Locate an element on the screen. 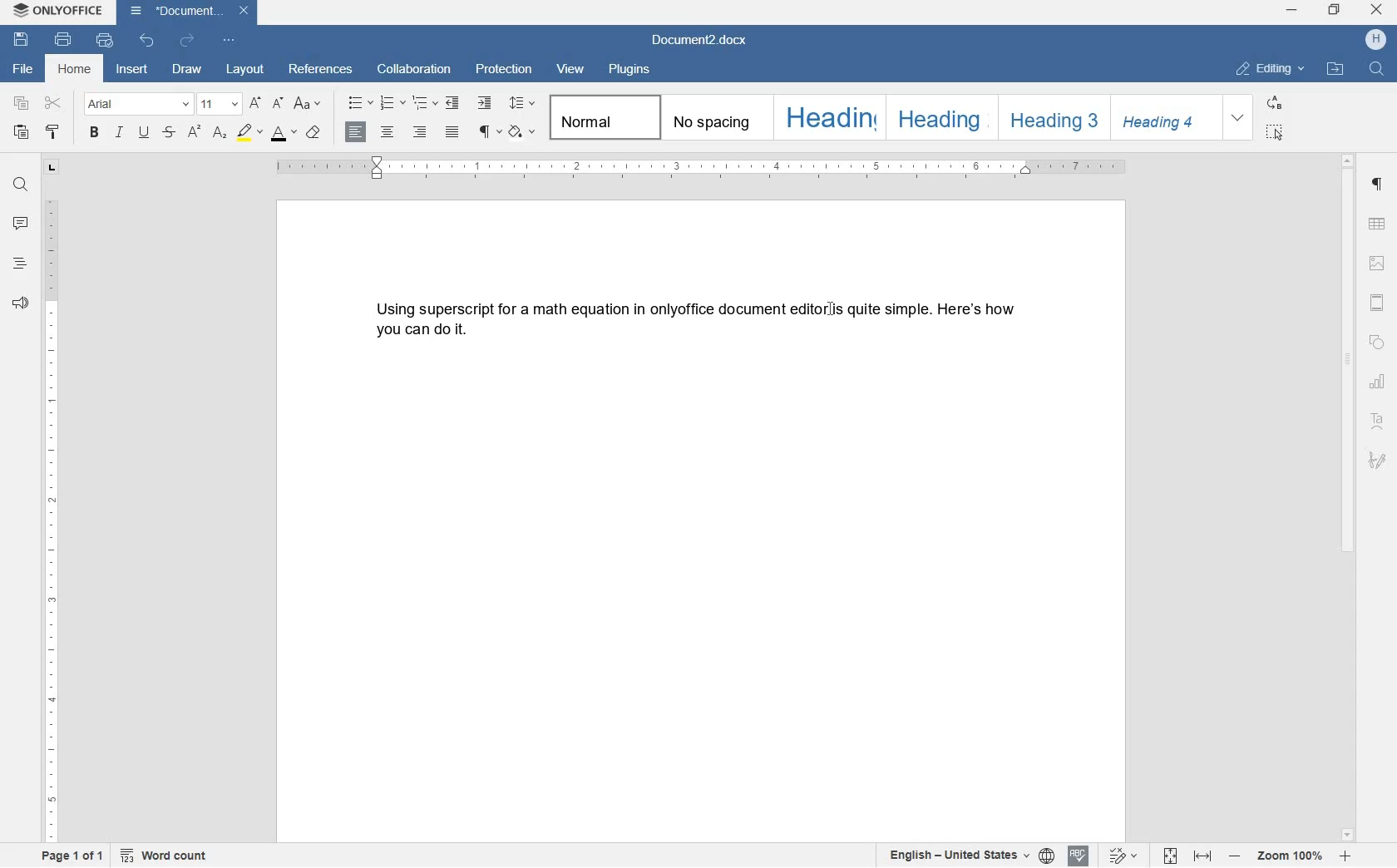 This screenshot has width=1397, height=868. shading is located at coordinates (521, 133).